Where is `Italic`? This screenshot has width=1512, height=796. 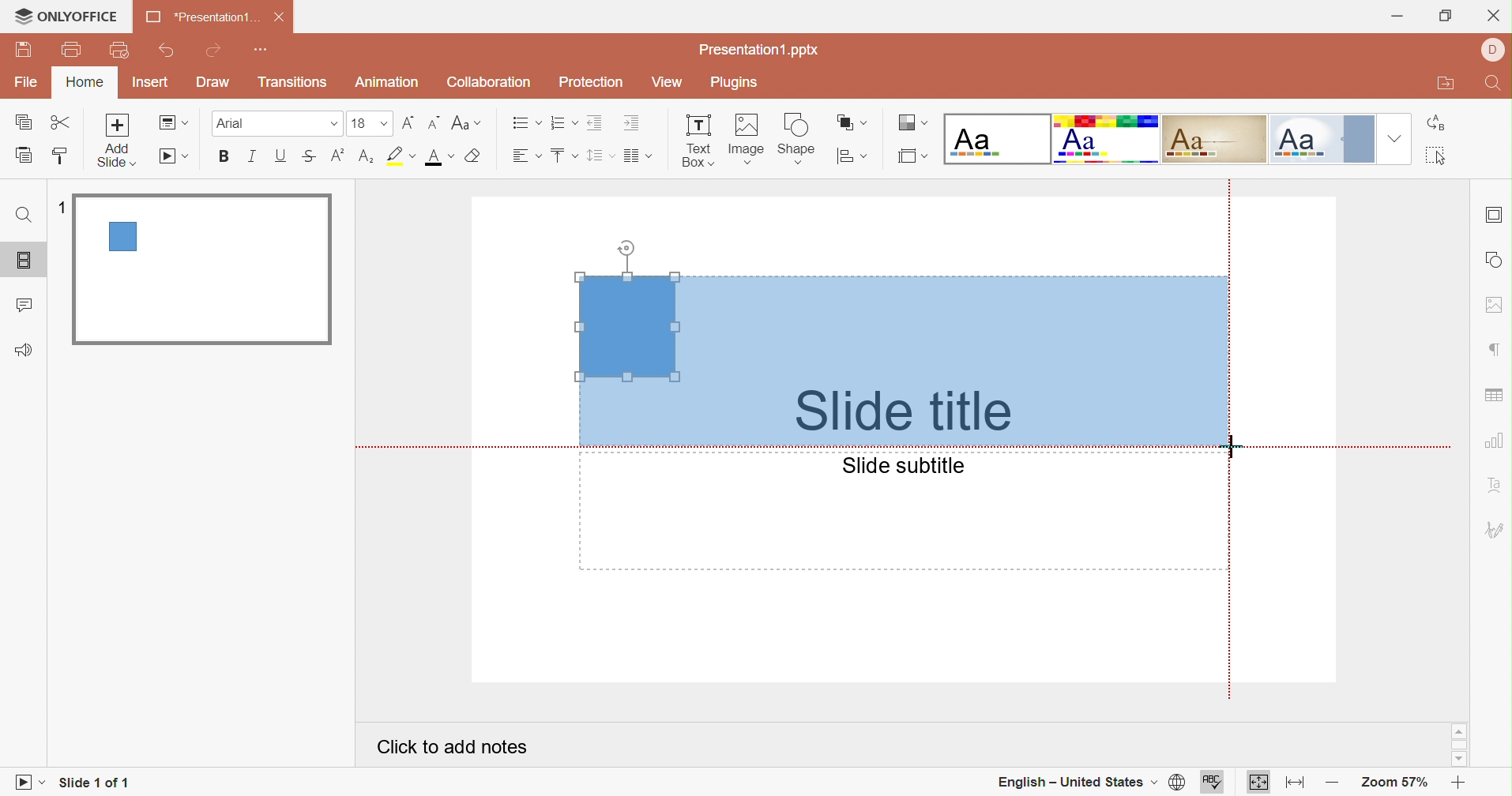
Italic is located at coordinates (250, 157).